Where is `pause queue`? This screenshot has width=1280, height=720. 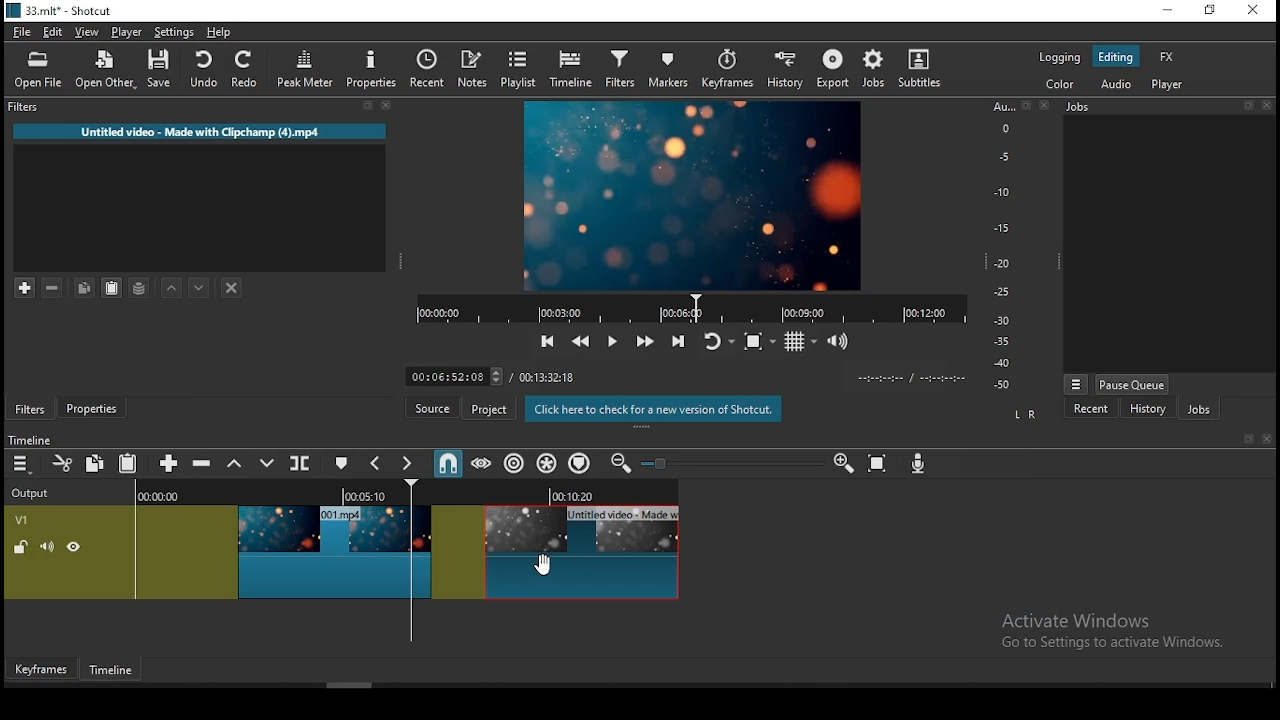
pause queue is located at coordinates (1132, 383).